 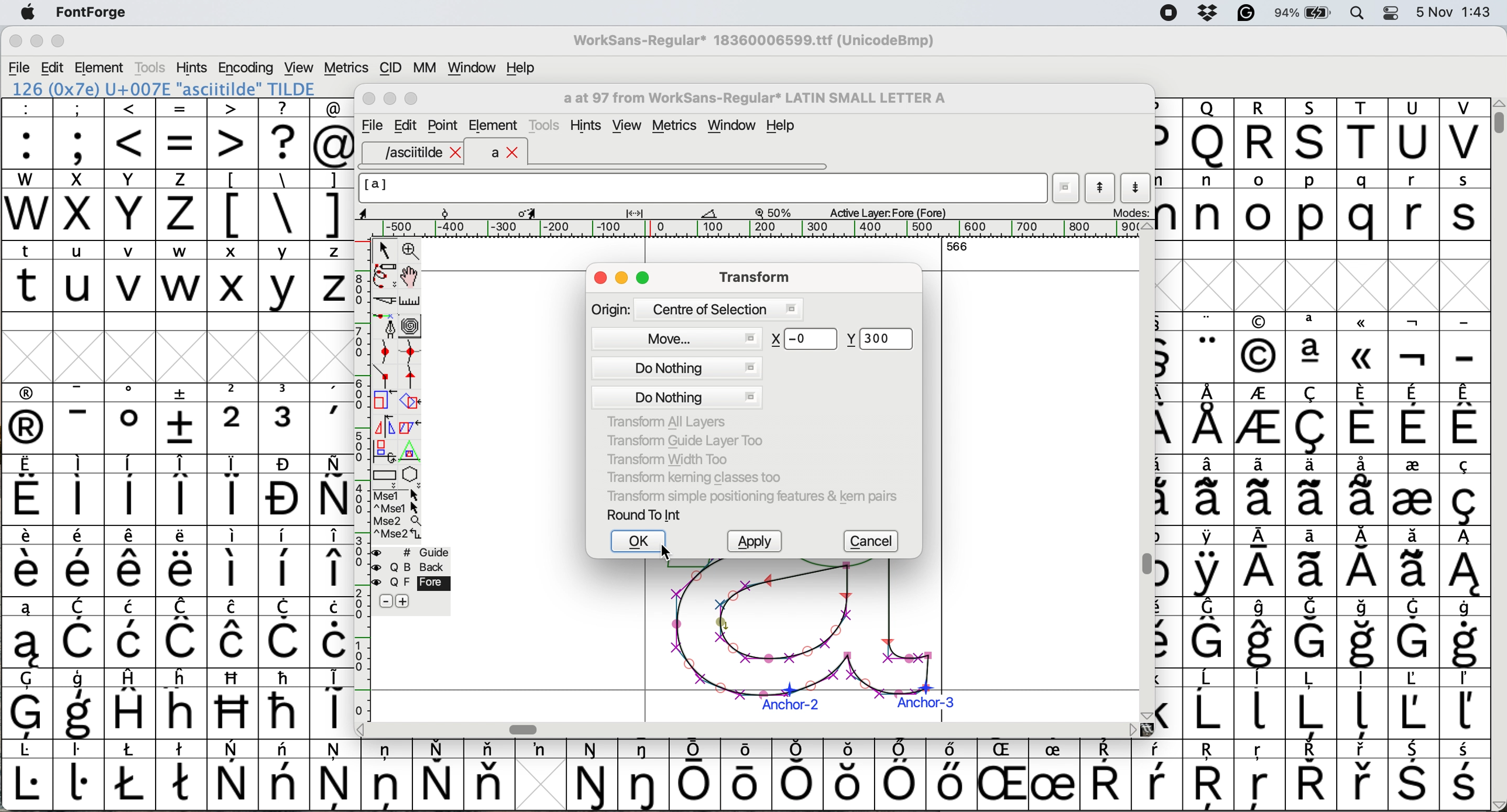 What do you see at coordinates (183, 134) in the screenshot?
I see `=` at bounding box center [183, 134].